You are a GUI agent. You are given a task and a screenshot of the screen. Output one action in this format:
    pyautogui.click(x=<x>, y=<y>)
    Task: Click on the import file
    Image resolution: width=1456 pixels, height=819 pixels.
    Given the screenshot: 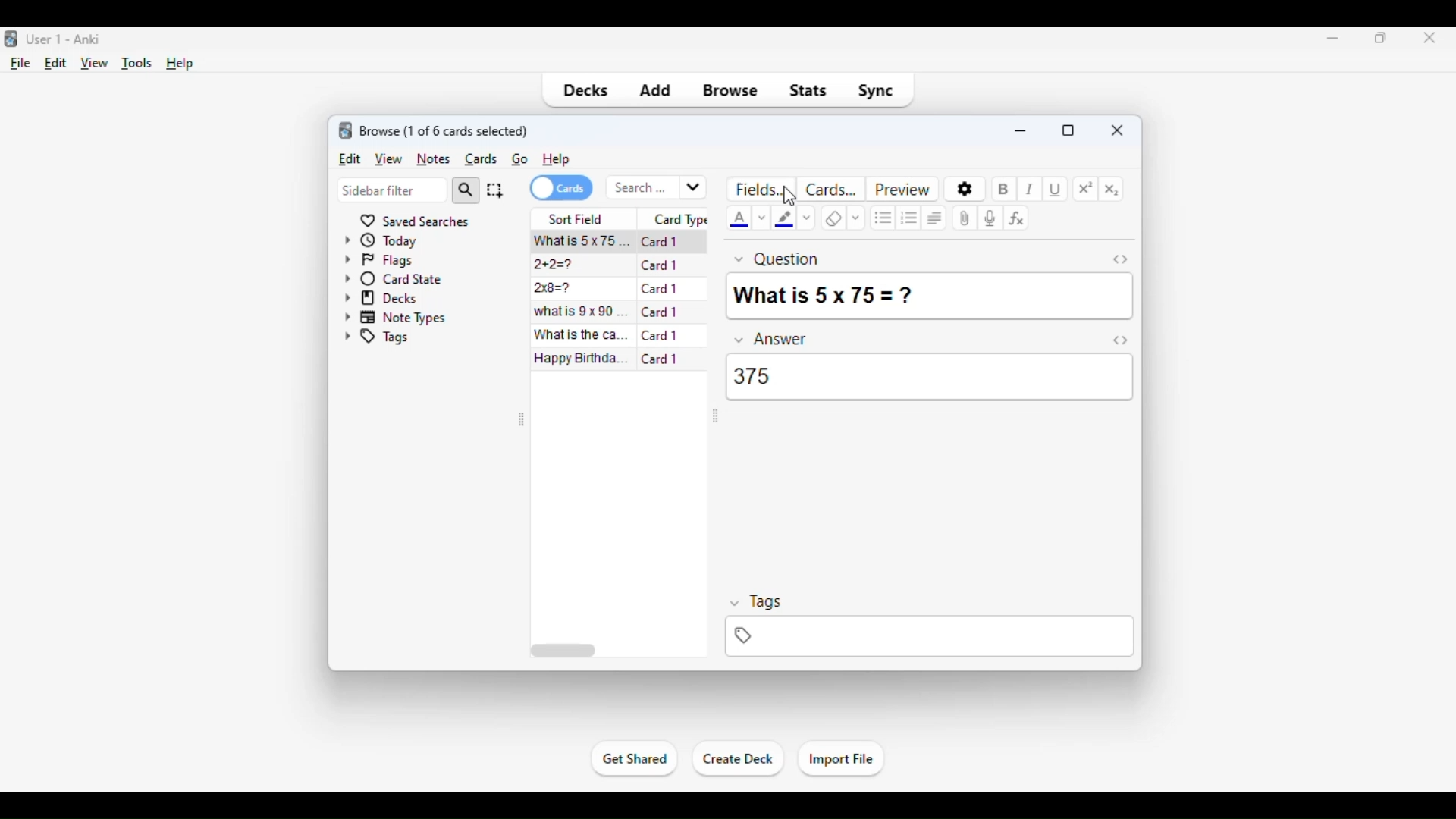 What is the action you would take?
    pyautogui.click(x=840, y=760)
    